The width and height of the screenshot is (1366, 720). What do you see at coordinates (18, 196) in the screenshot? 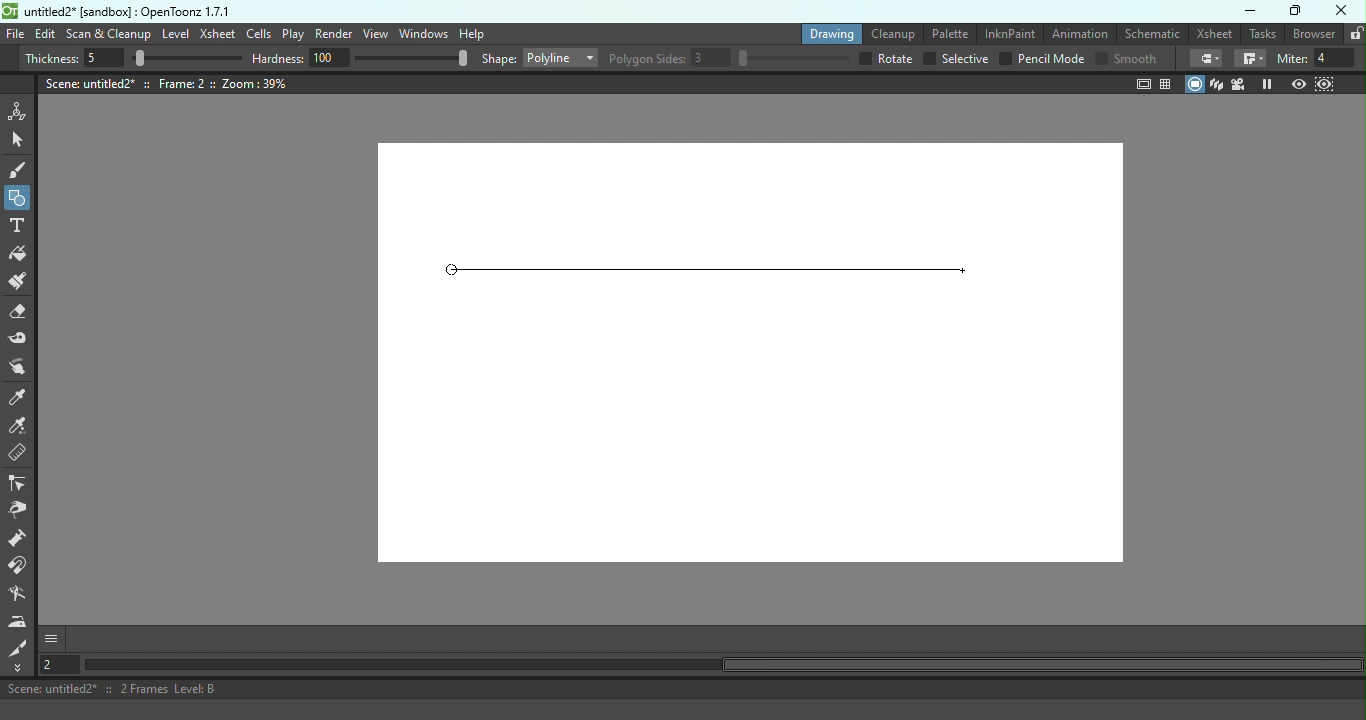
I see `` at bounding box center [18, 196].